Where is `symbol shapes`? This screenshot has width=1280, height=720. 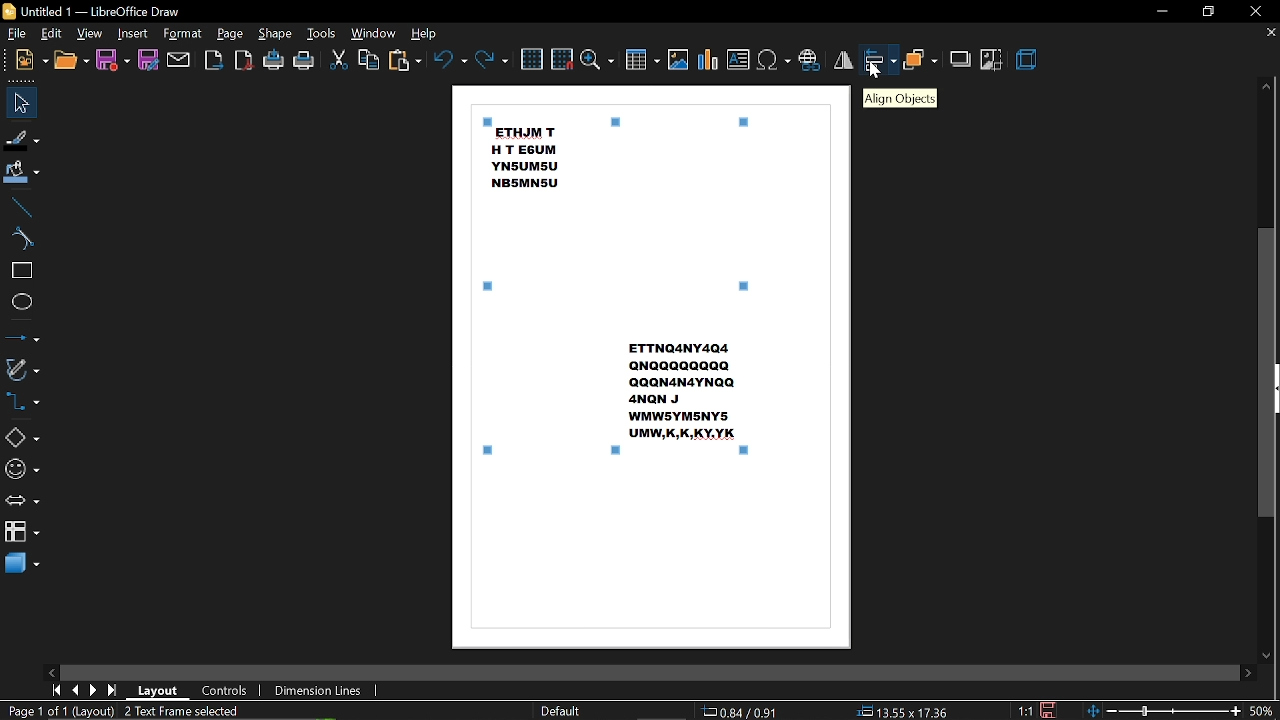 symbol shapes is located at coordinates (22, 469).